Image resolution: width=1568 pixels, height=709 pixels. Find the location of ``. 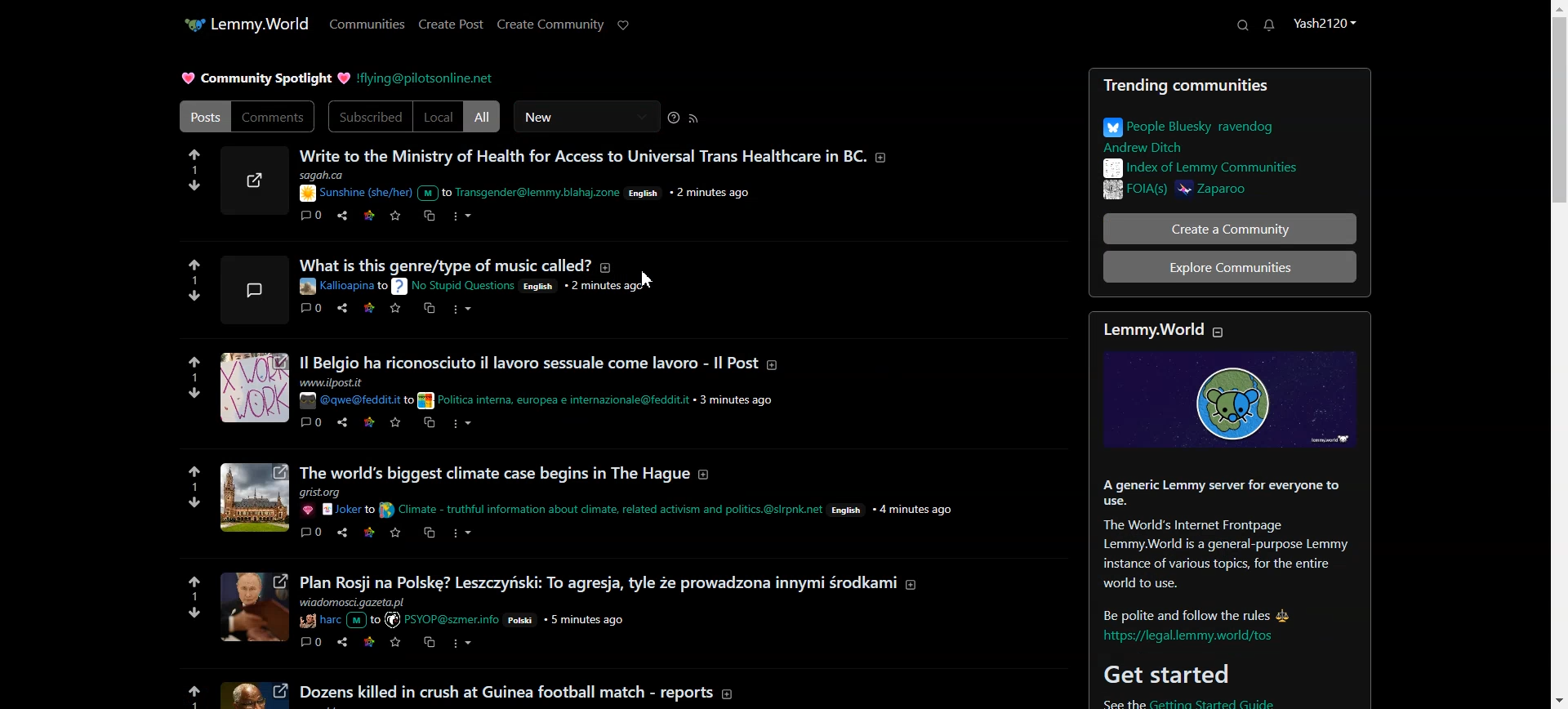

 is located at coordinates (492, 475).